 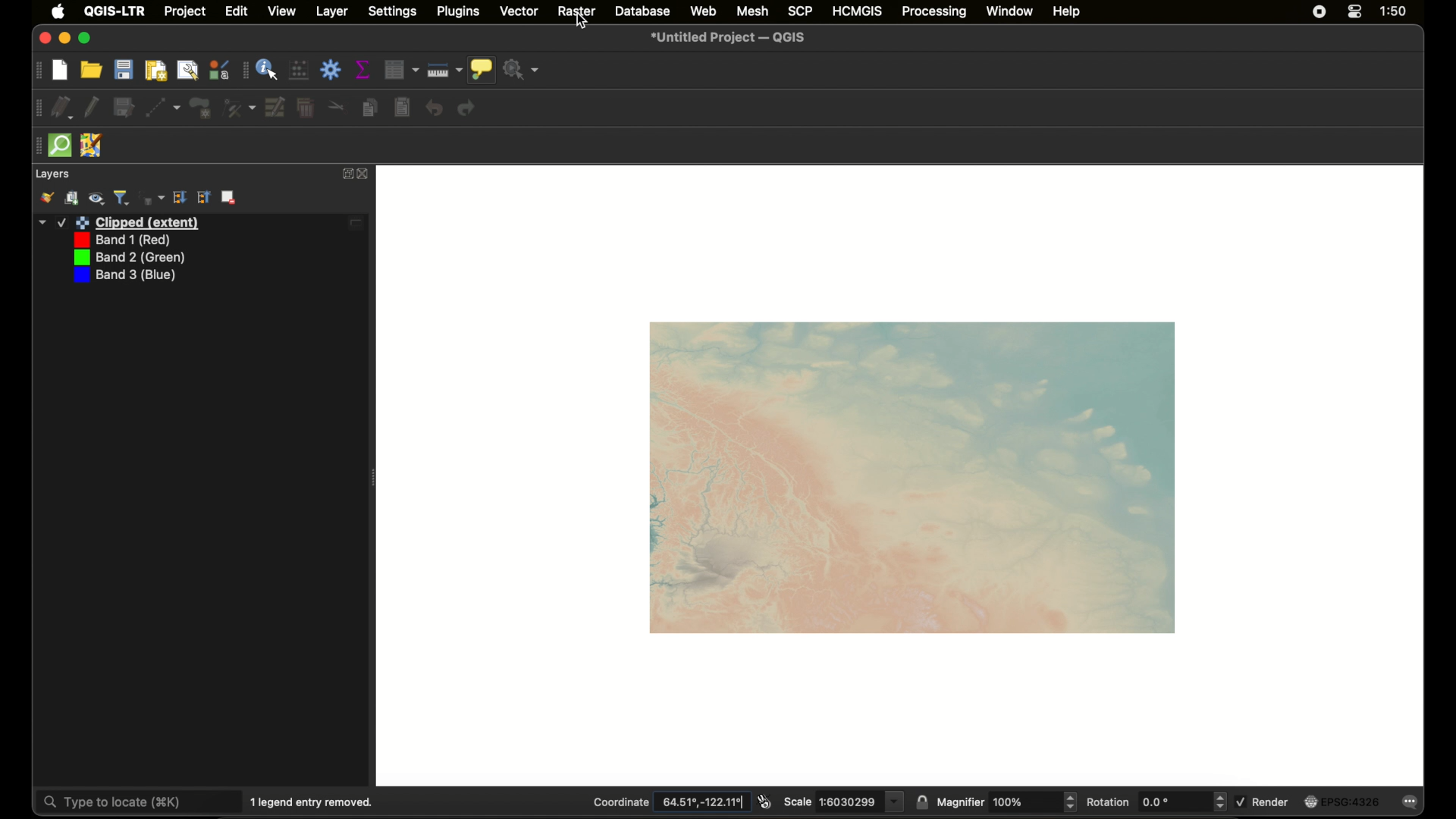 I want to click on control center, so click(x=1355, y=12).